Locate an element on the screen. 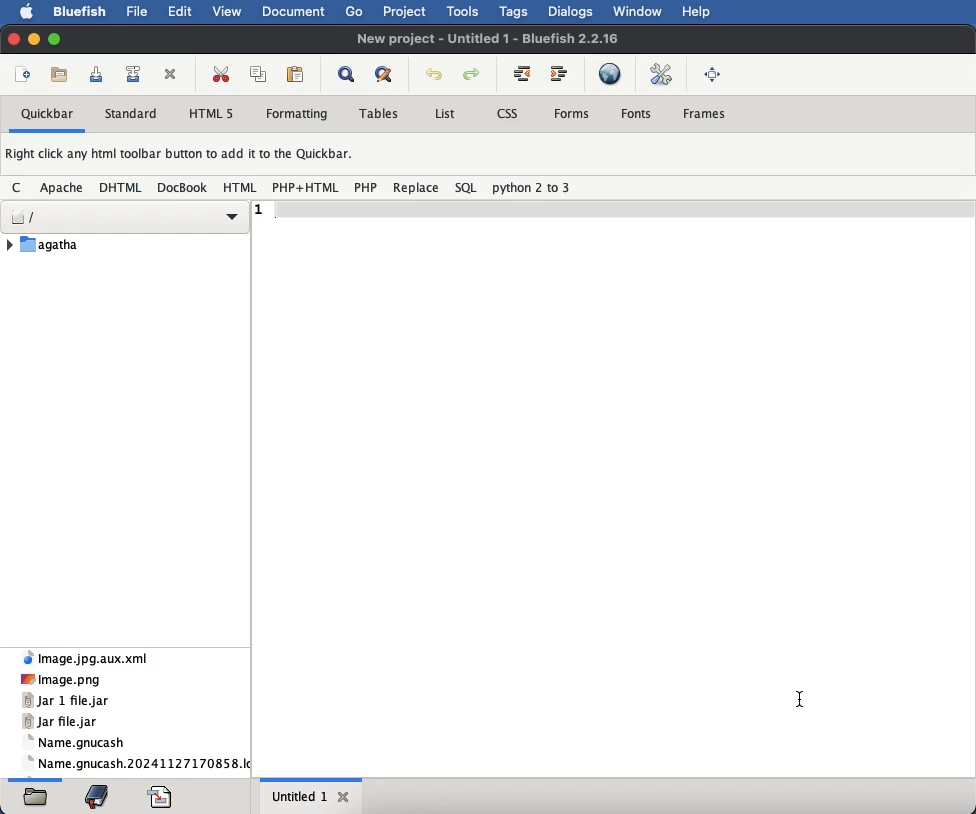 Image resolution: width=976 pixels, height=814 pixels. forms is located at coordinates (572, 114).